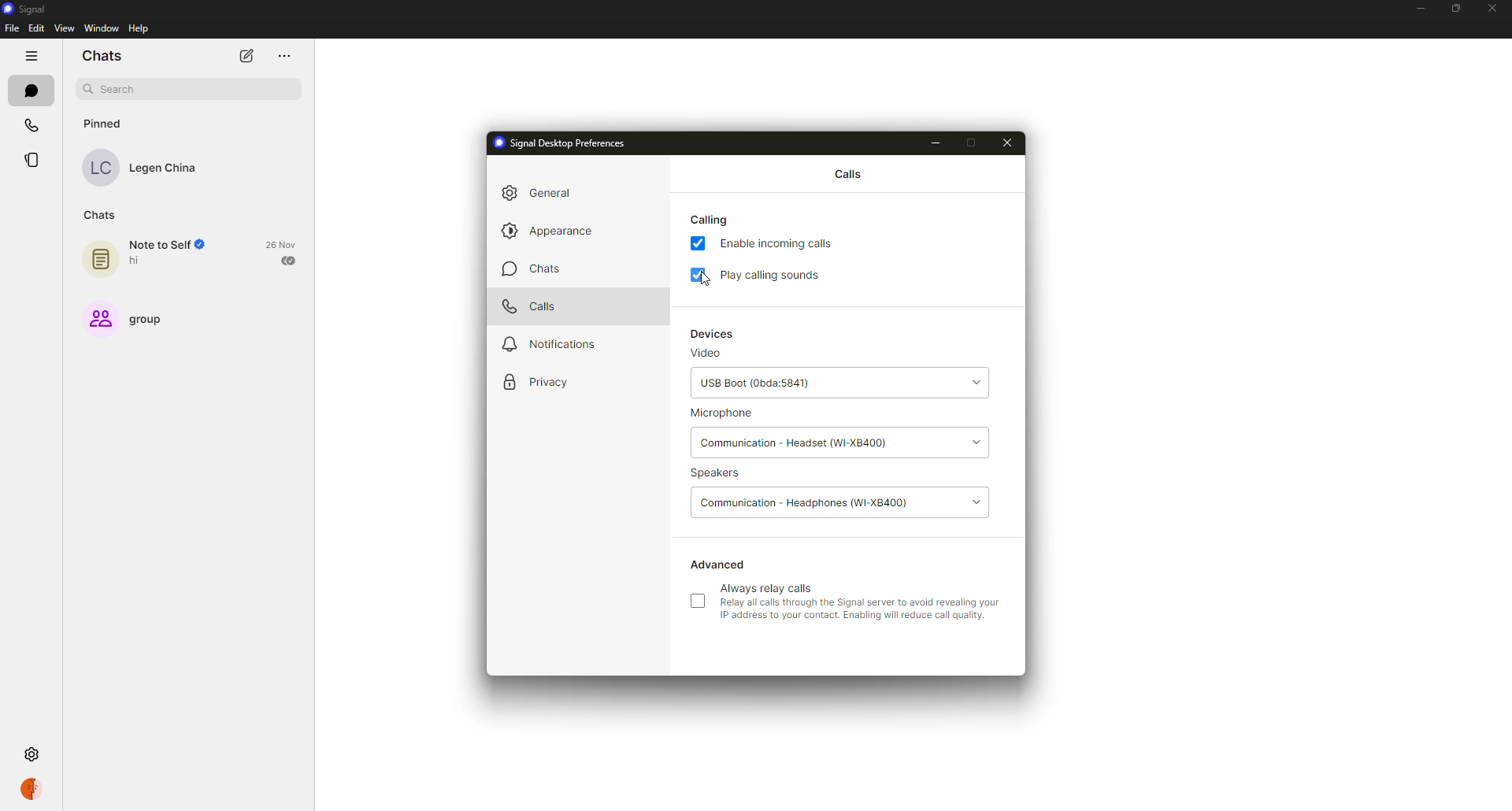 Image resolution: width=1512 pixels, height=811 pixels. Describe the element at coordinates (937, 143) in the screenshot. I see `minimize` at that location.